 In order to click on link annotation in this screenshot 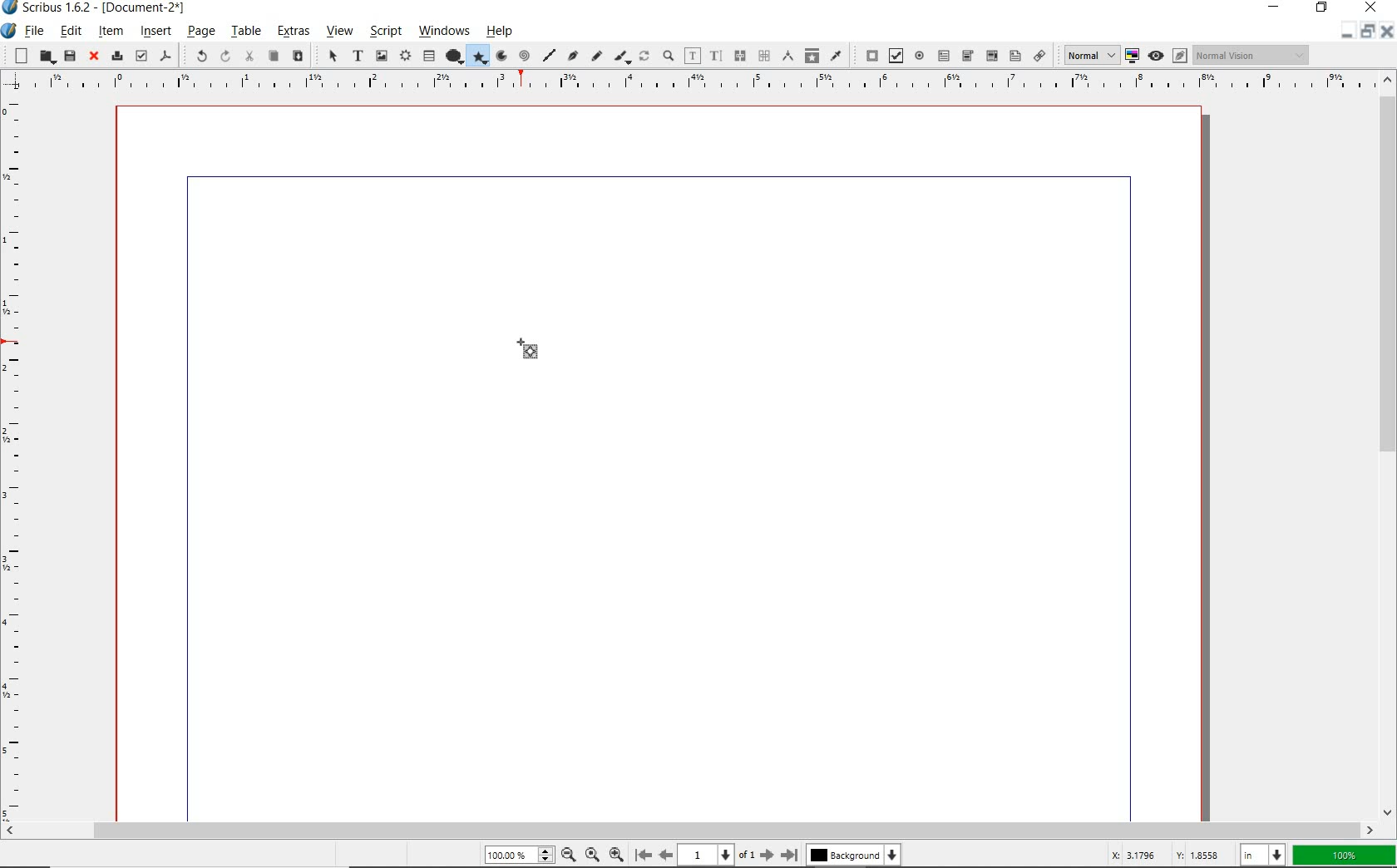, I will do `click(1039, 57)`.